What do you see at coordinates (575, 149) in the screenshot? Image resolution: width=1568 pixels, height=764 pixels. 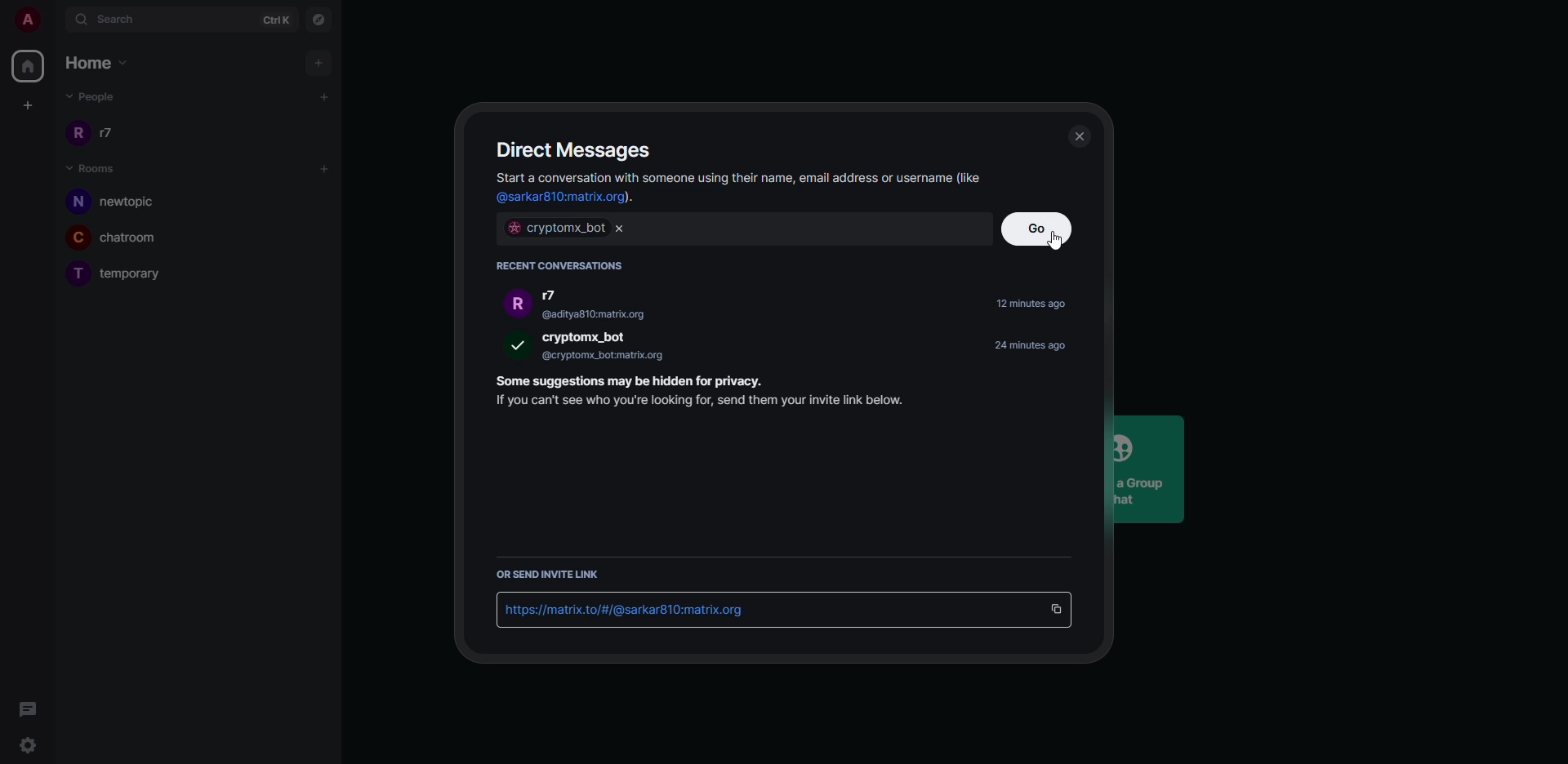 I see `direct message` at bounding box center [575, 149].